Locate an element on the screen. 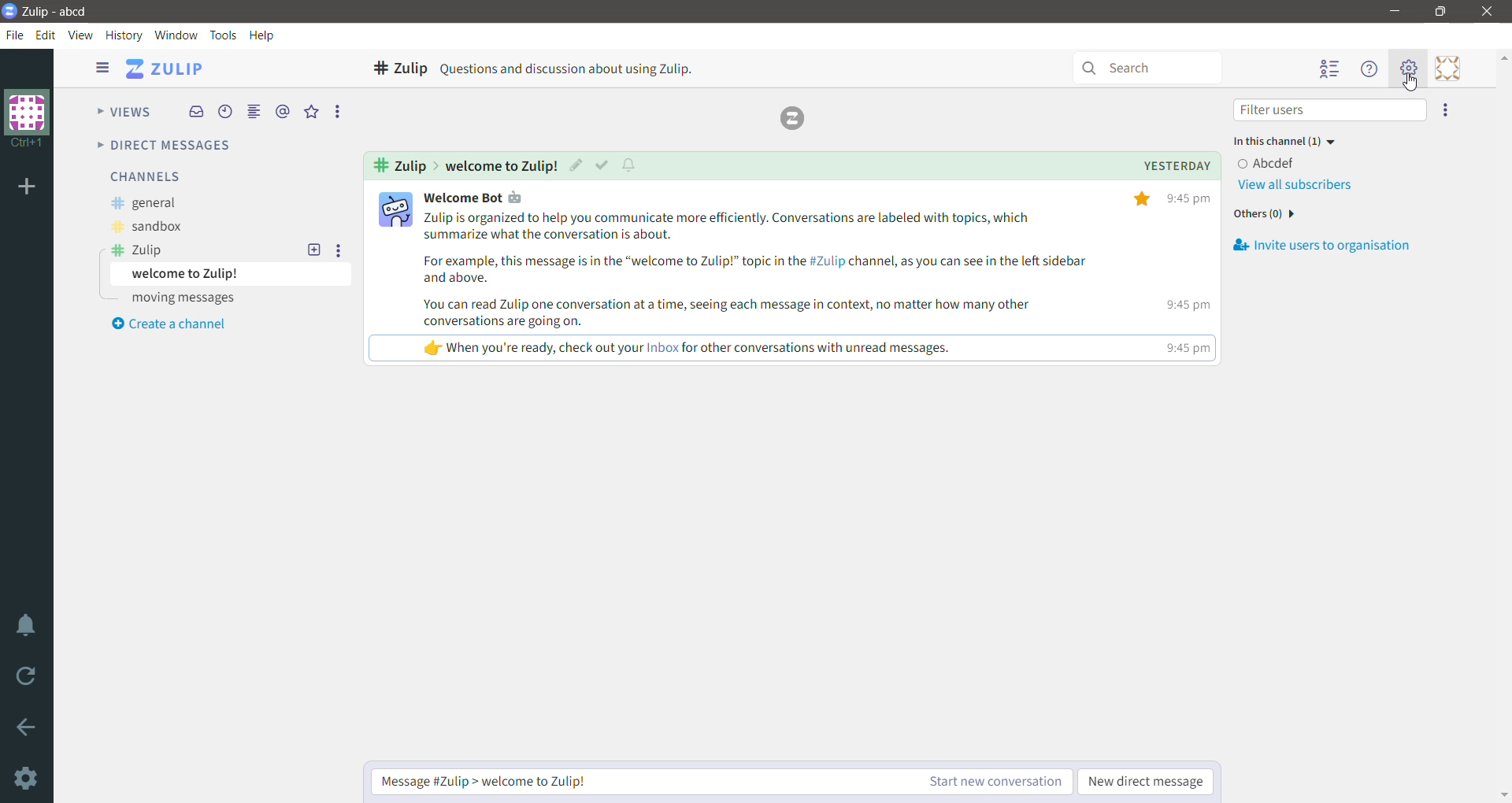 This screenshot has width=1512, height=803. star is located at coordinates (1141, 199).